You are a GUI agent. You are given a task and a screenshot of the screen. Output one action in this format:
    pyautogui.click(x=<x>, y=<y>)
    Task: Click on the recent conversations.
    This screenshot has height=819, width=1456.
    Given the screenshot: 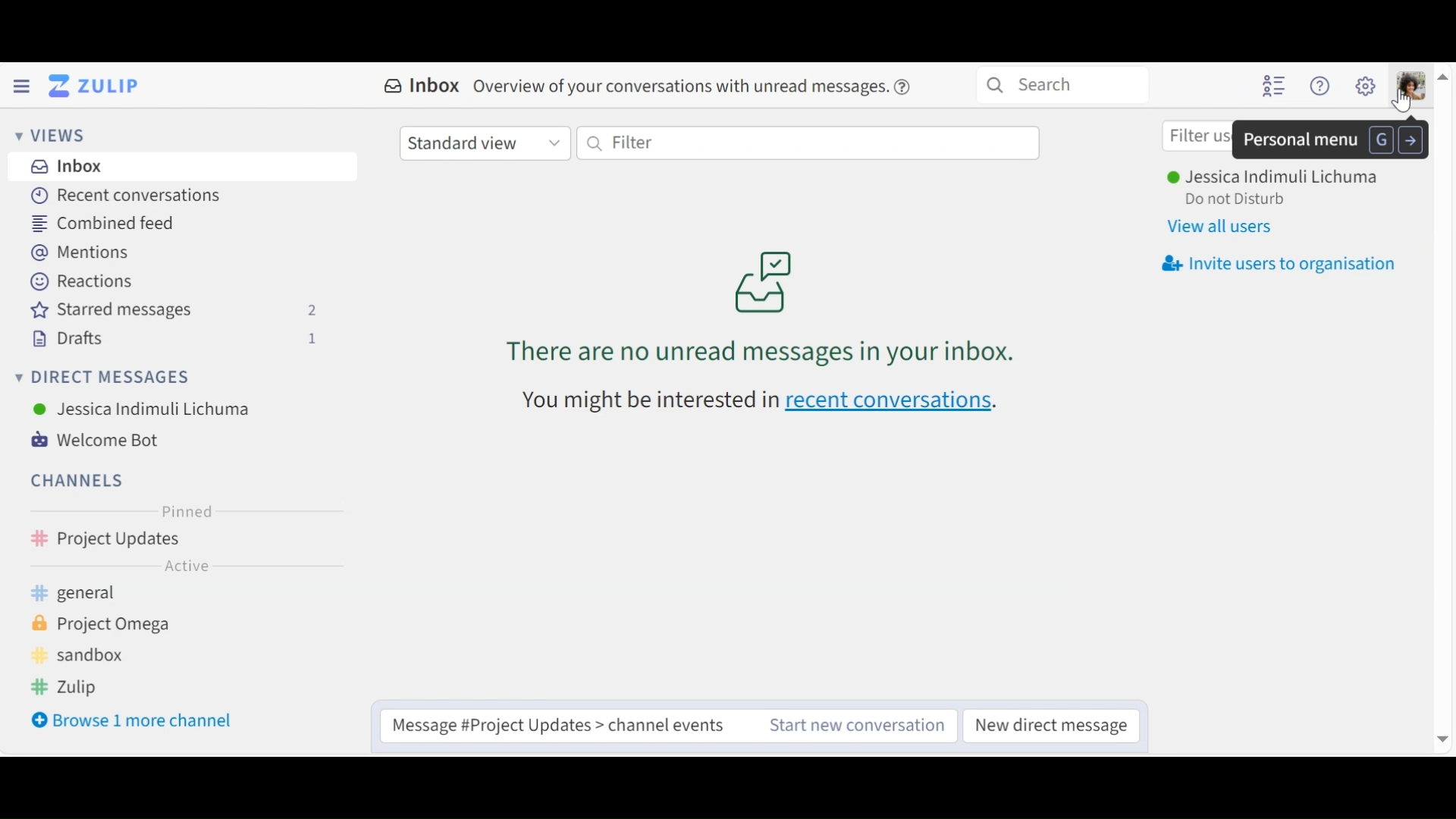 What is the action you would take?
    pyautogui.click(x=899, y=404)
    